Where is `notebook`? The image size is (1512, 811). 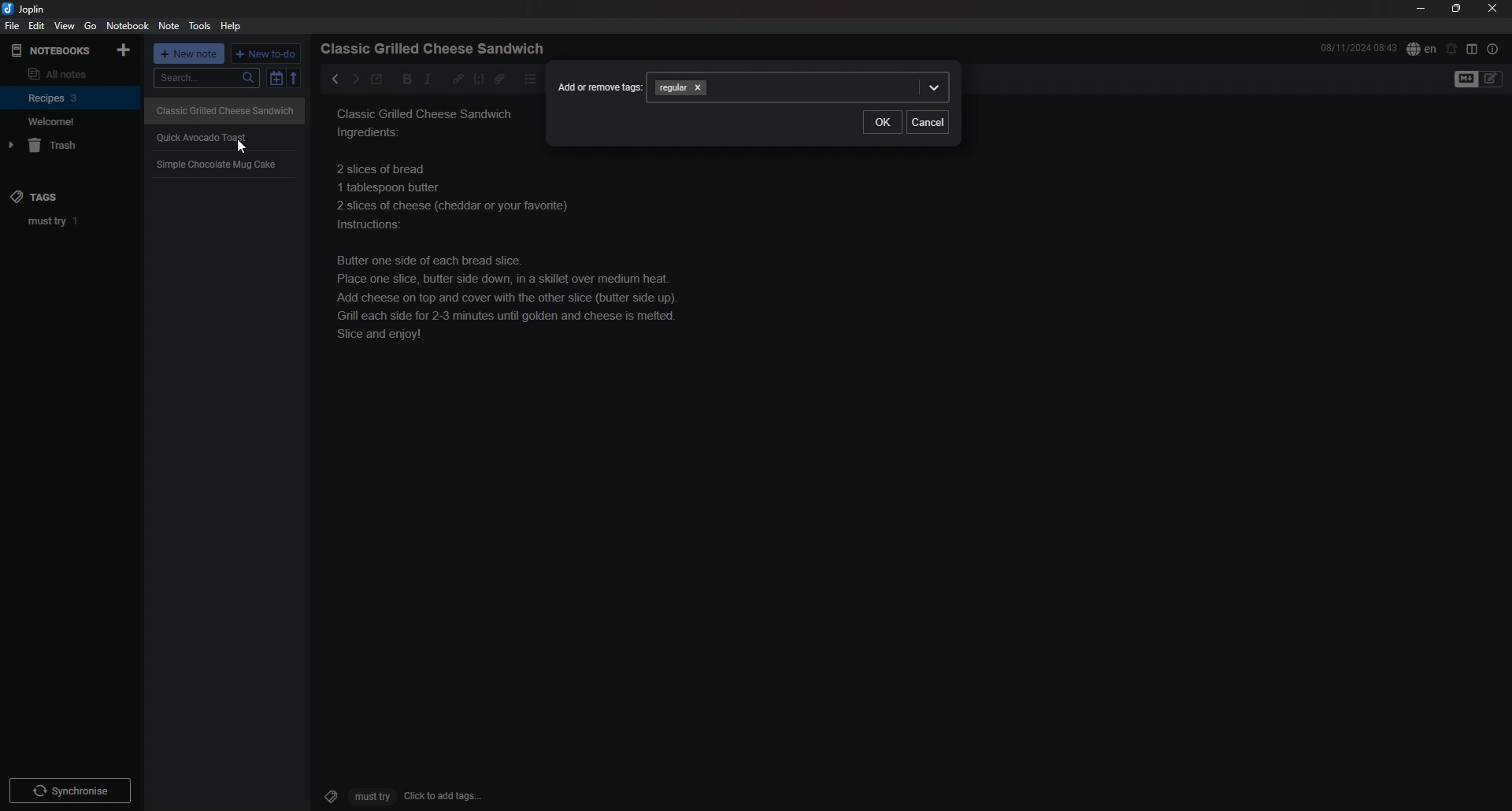 notebook is located at coordinates (129, 25).